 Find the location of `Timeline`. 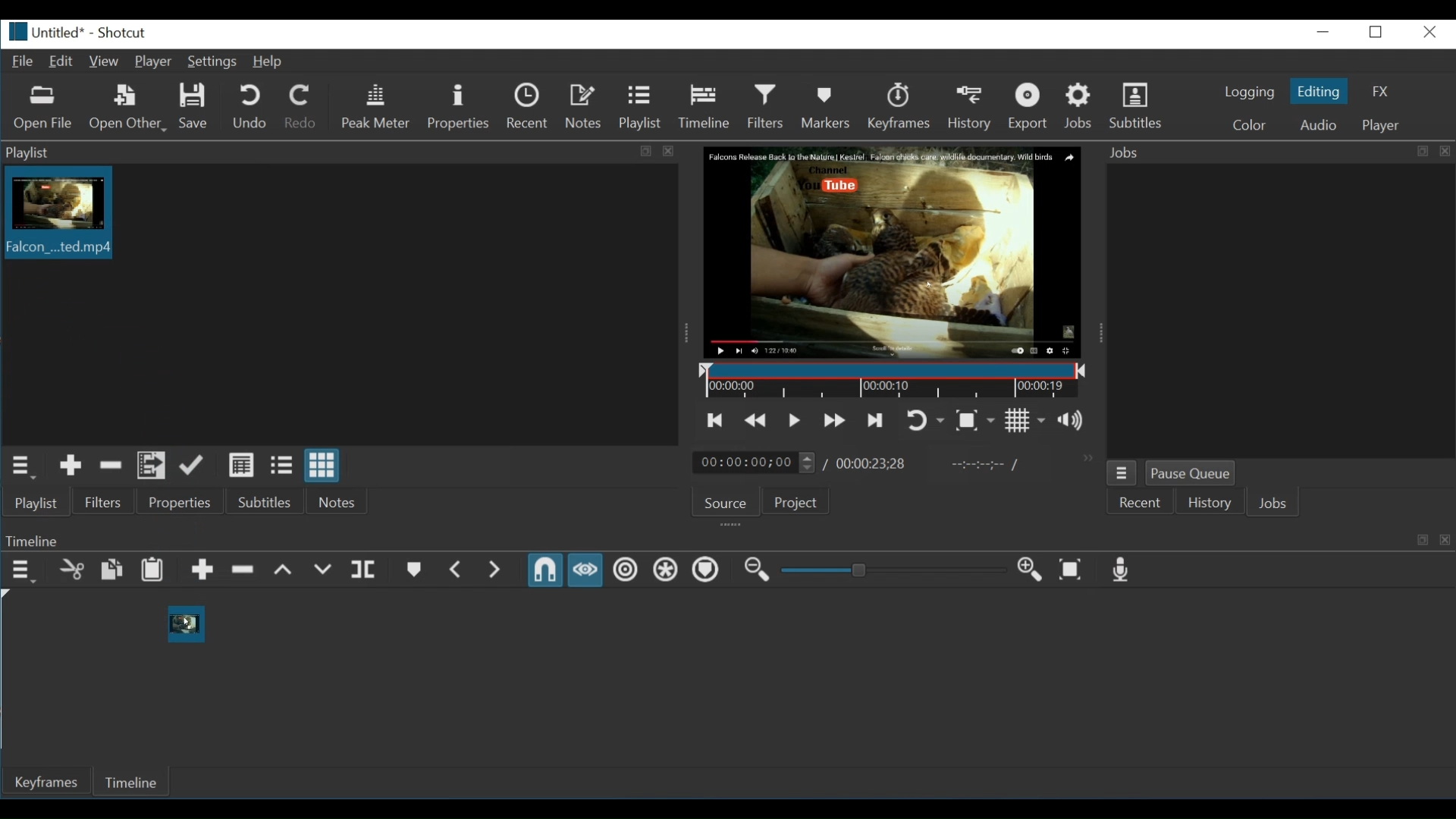

Timeline is located at coordinates (895, 381).